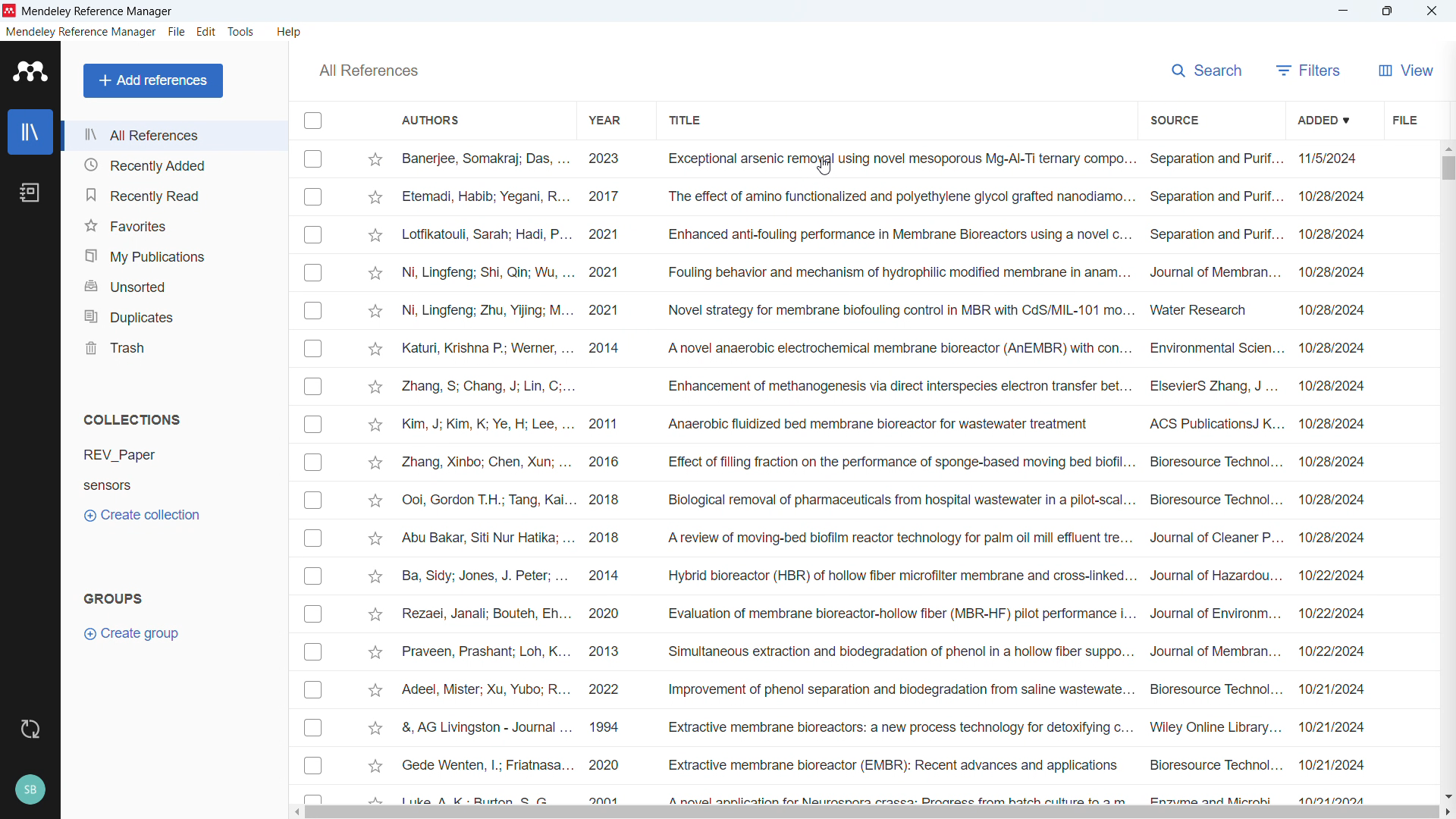 Image resolution: width=1456 pixels, height=819 pixels. What do you see at coordinates (1341, 651) in the screenshot?
I see `10/22/2024` at bounding box center [1341, 651].